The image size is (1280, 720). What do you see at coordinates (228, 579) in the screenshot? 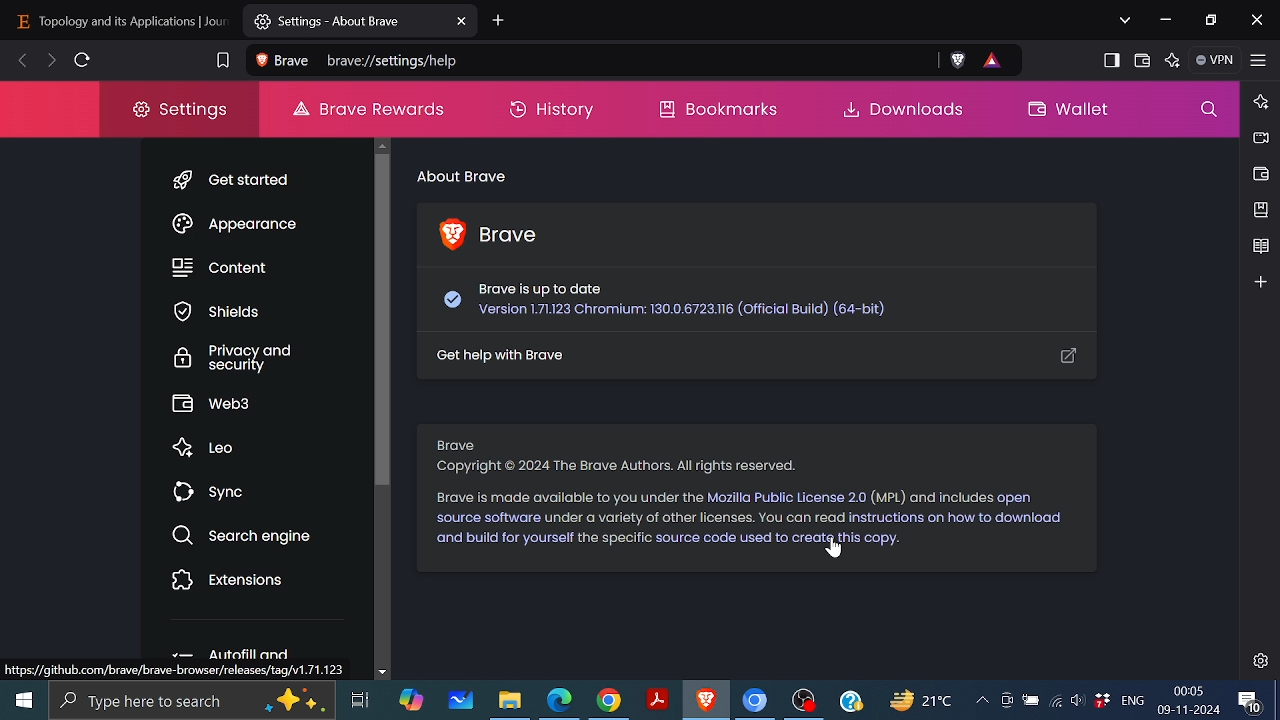
I see `Extensions` at bounding box center [228, 579].